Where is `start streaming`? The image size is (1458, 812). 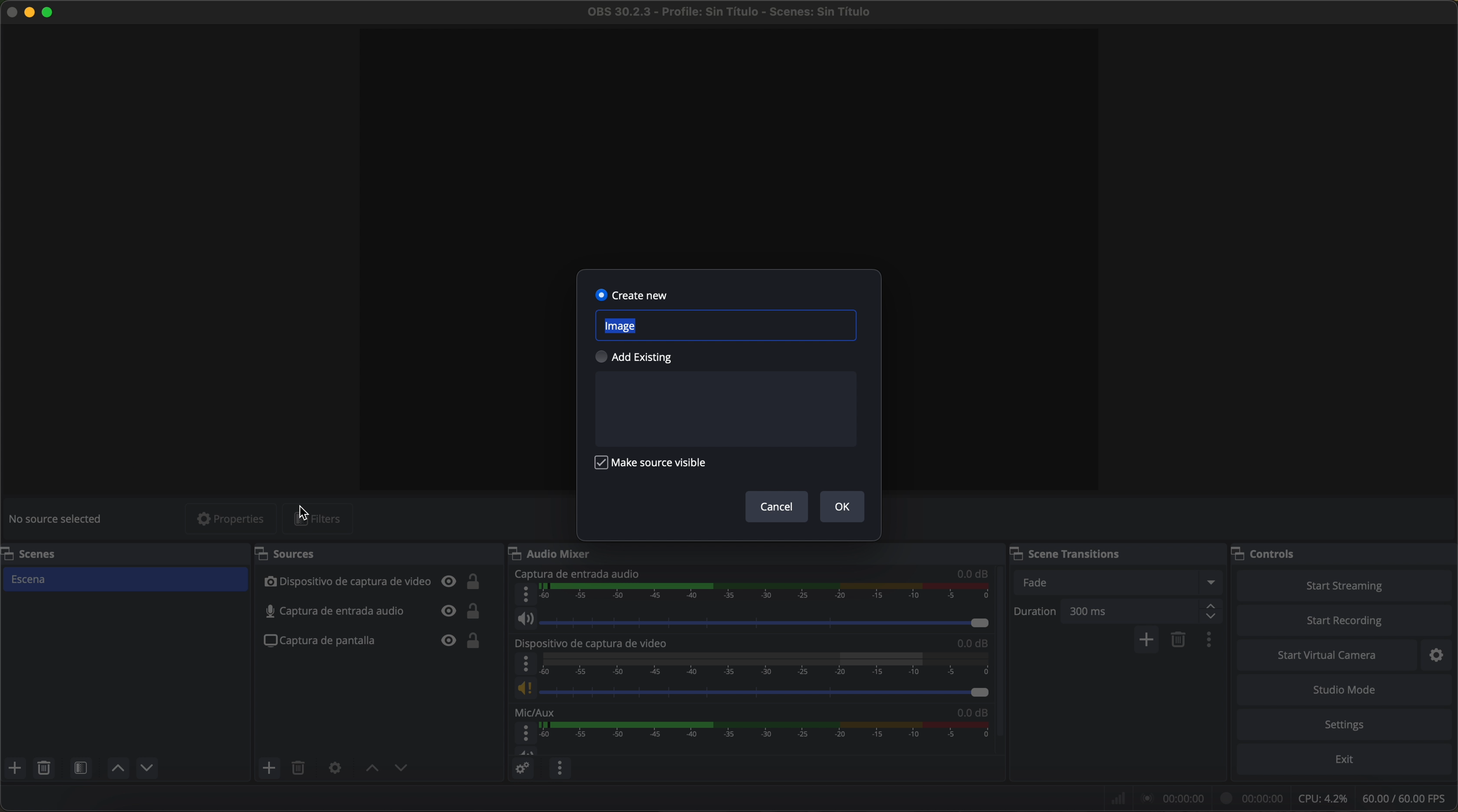
start streaming is located at coordinates (1340, 585).